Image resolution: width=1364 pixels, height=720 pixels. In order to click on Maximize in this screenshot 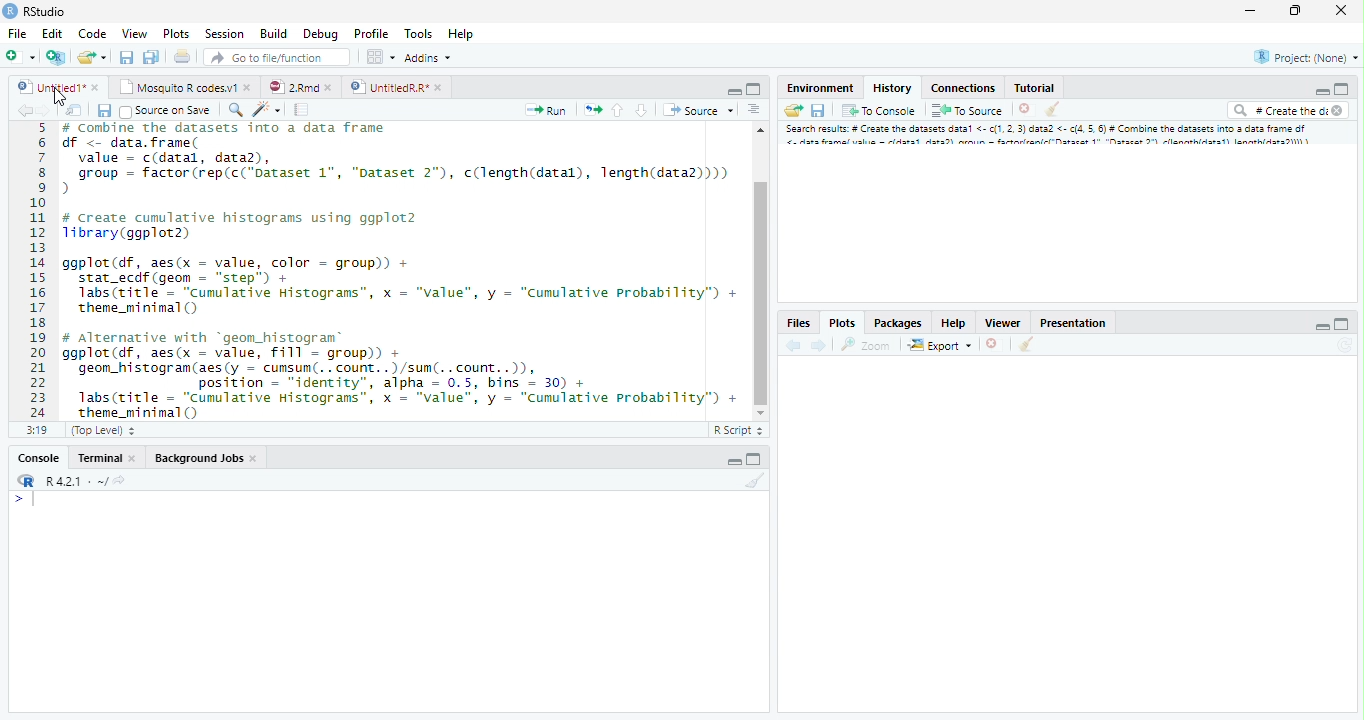, I will do `click(754, 88)`.